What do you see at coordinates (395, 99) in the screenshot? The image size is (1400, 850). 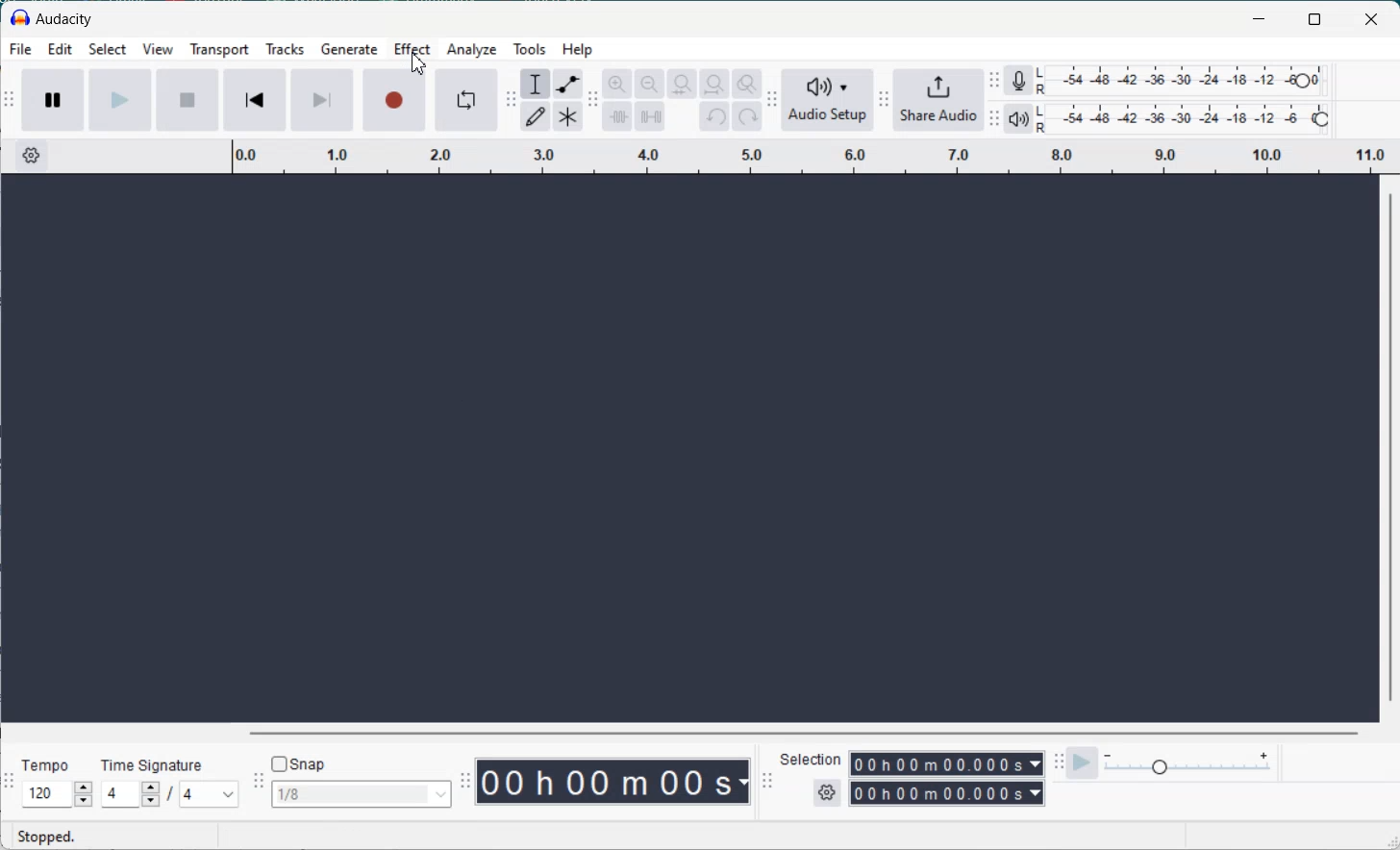 I see `Record` at bounding box center [395, 99].